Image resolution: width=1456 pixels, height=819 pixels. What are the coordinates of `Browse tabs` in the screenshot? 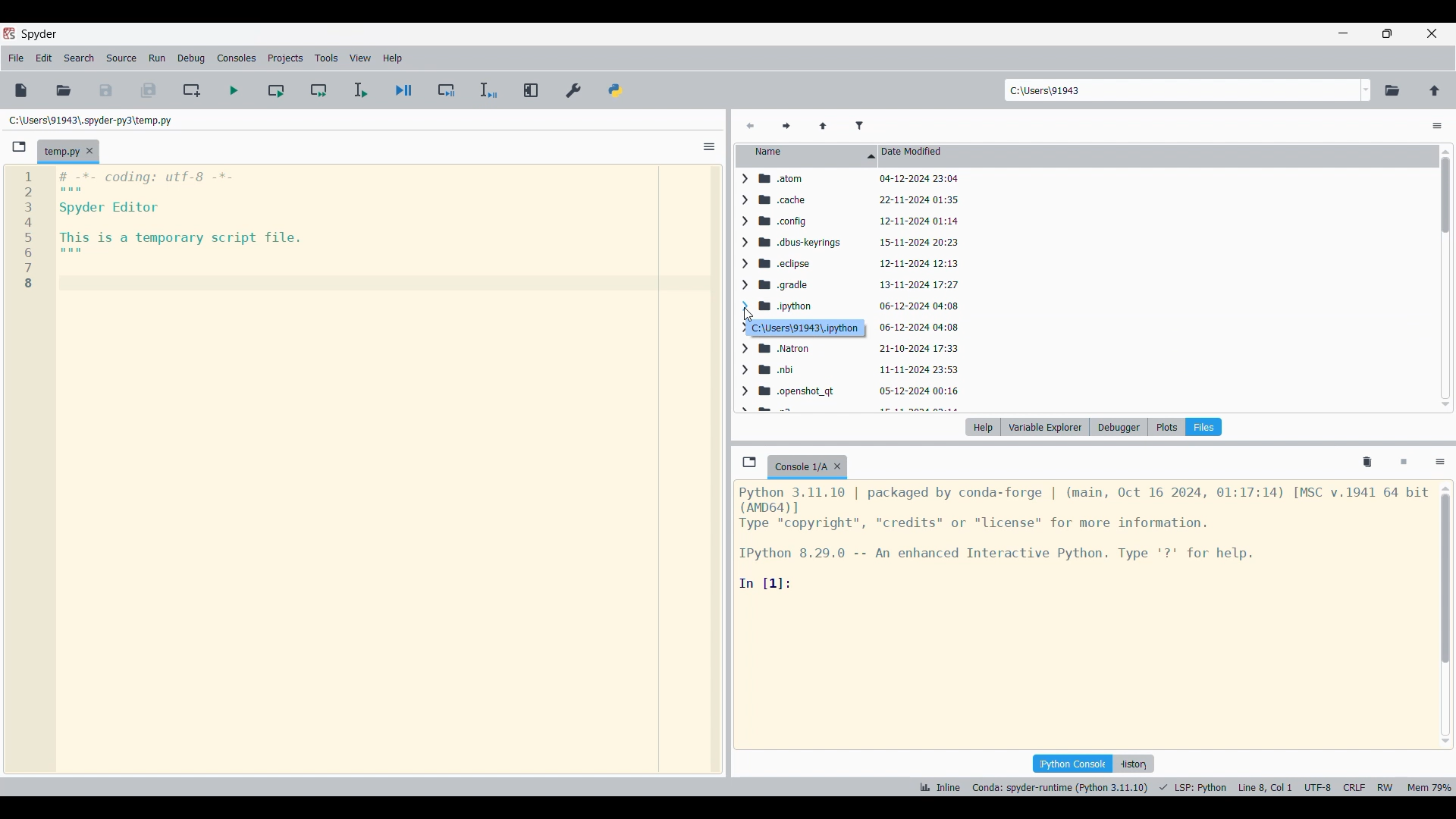 It's located at (749, 462).